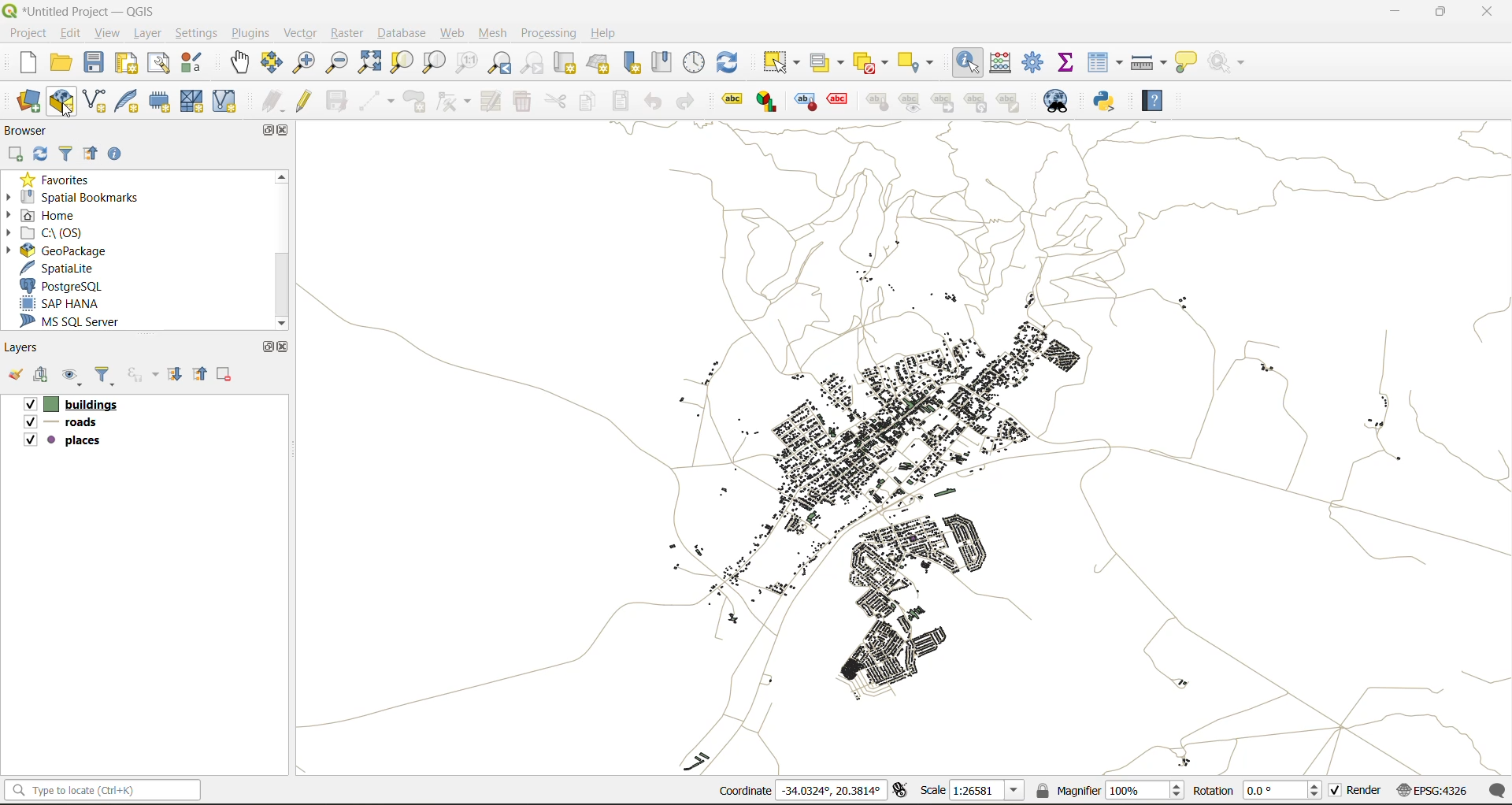  What do you see at coordinates (1499, 790) in the screenshot?
I see `log messages` at bounding box center [1499, 790].